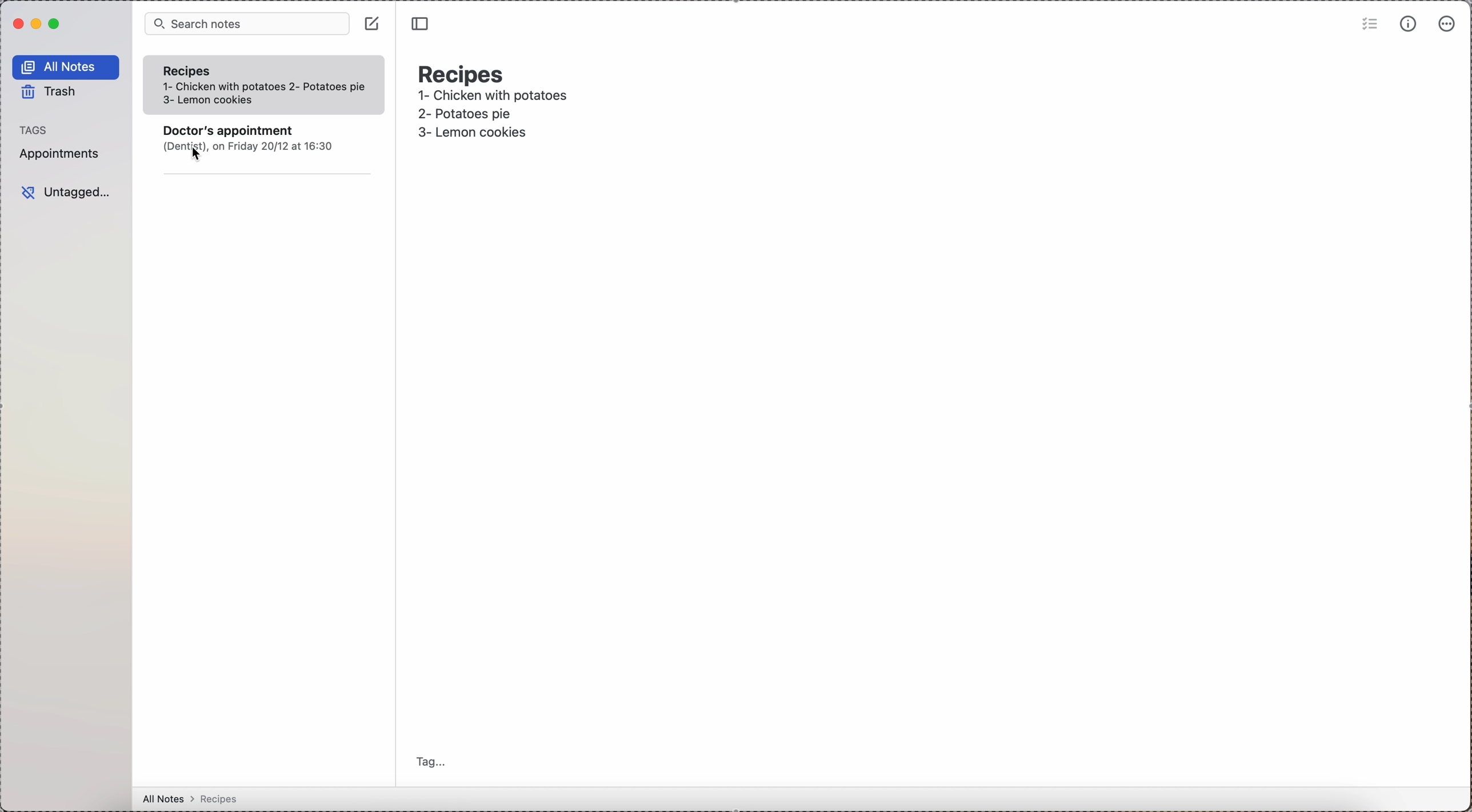 The image size is (1472, 812). What do you see at coordinates (263, 87) in the screenshot?
I see `1-chicken with potatoes 2- Potatoes pie` at bounding box center [263, 87].